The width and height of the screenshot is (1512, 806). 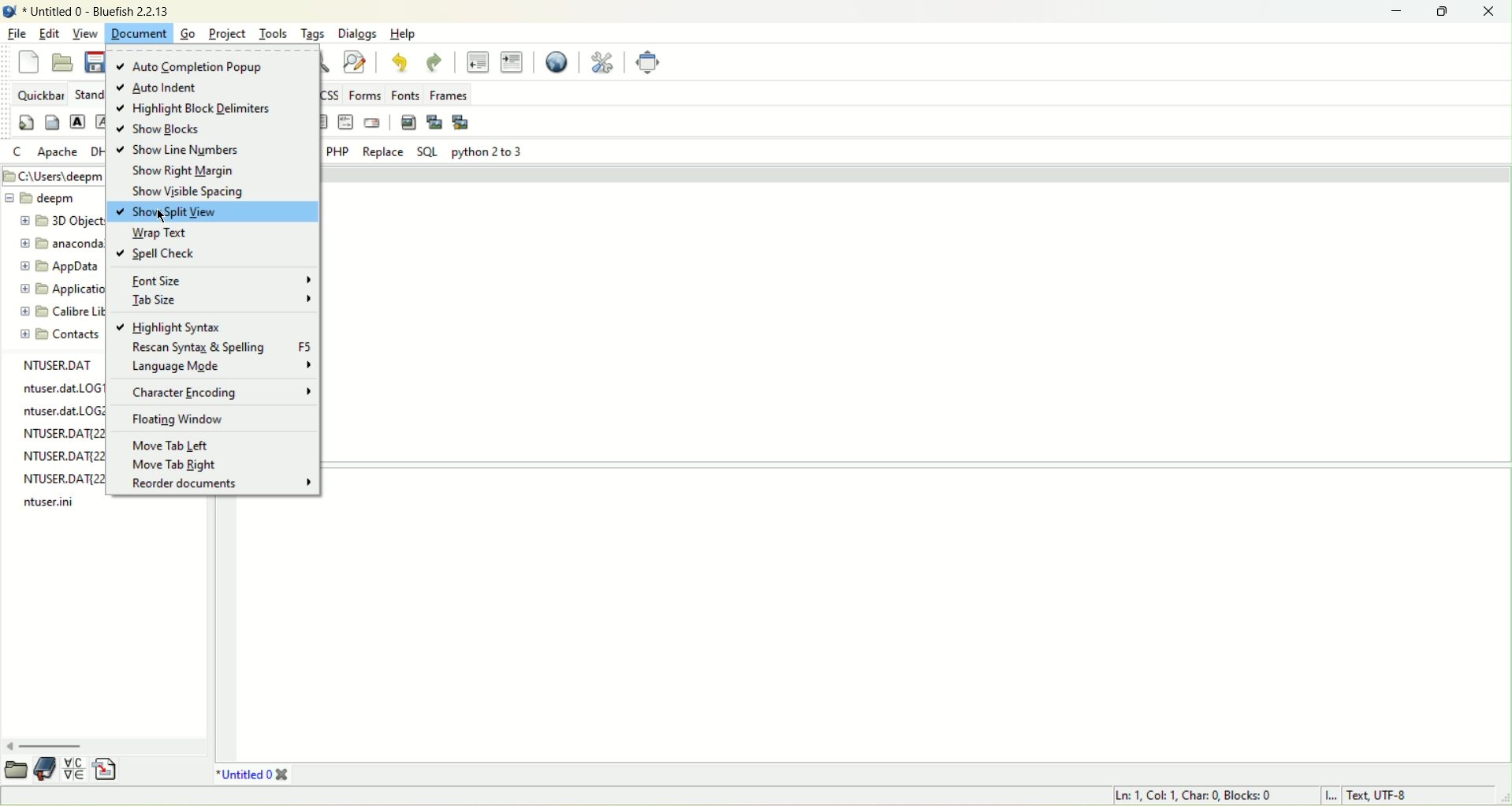 I want to click on Folder path, so click(x=54, y=175).